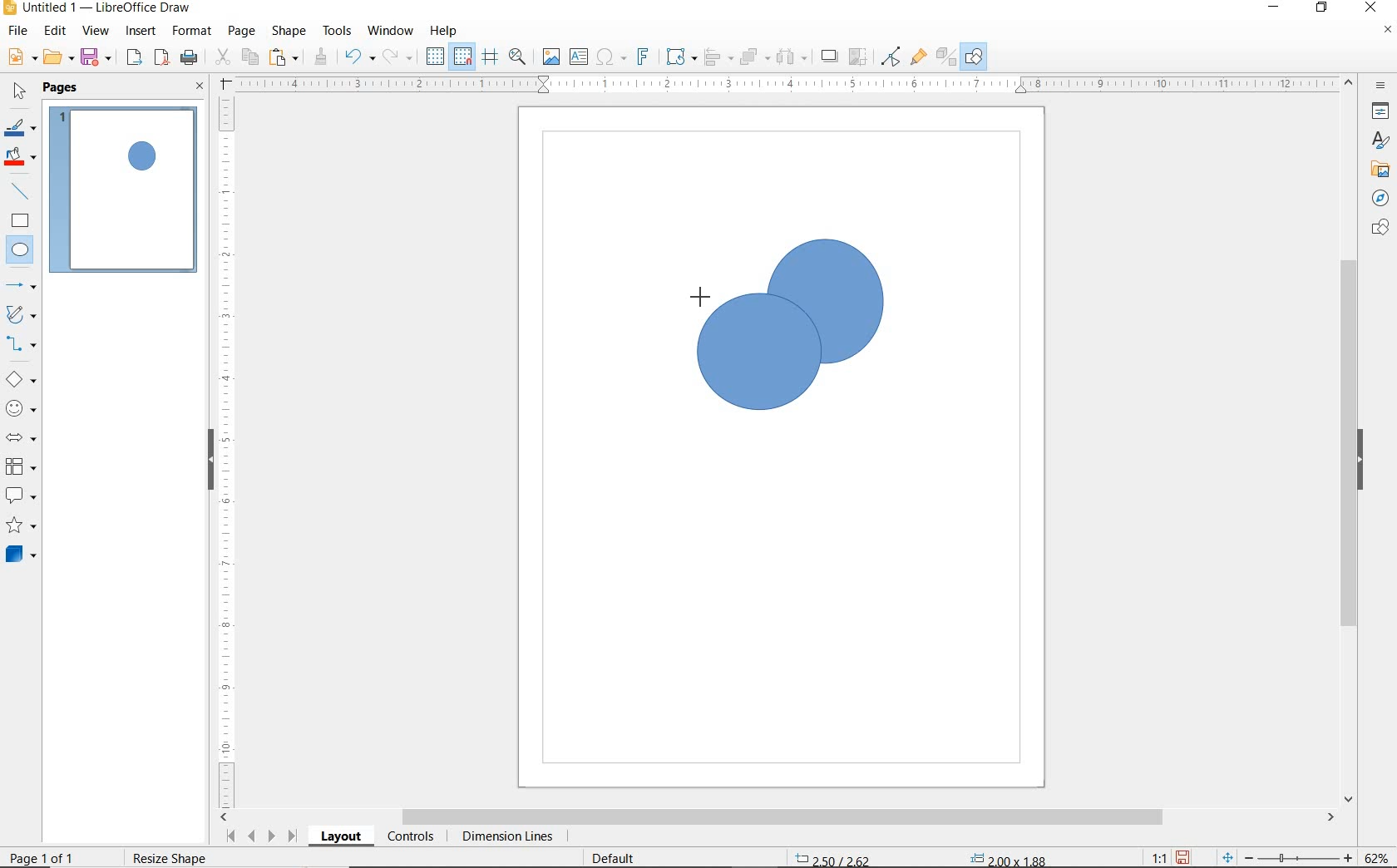  Describe the element at coordinates (20, 223) in the screenshot. I see `RECTANGLE` at that location.